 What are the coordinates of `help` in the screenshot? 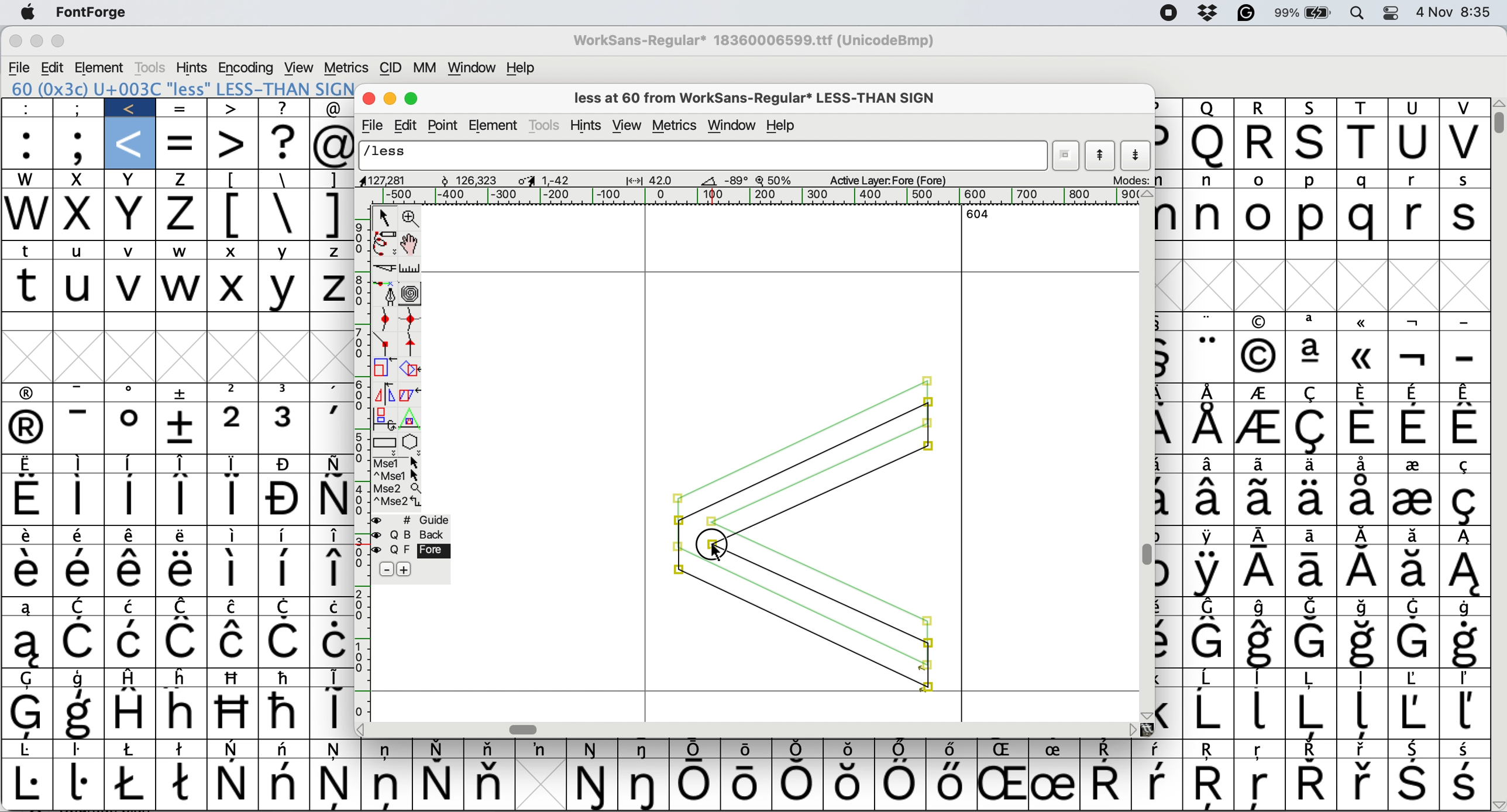 It's located at (783, 125).